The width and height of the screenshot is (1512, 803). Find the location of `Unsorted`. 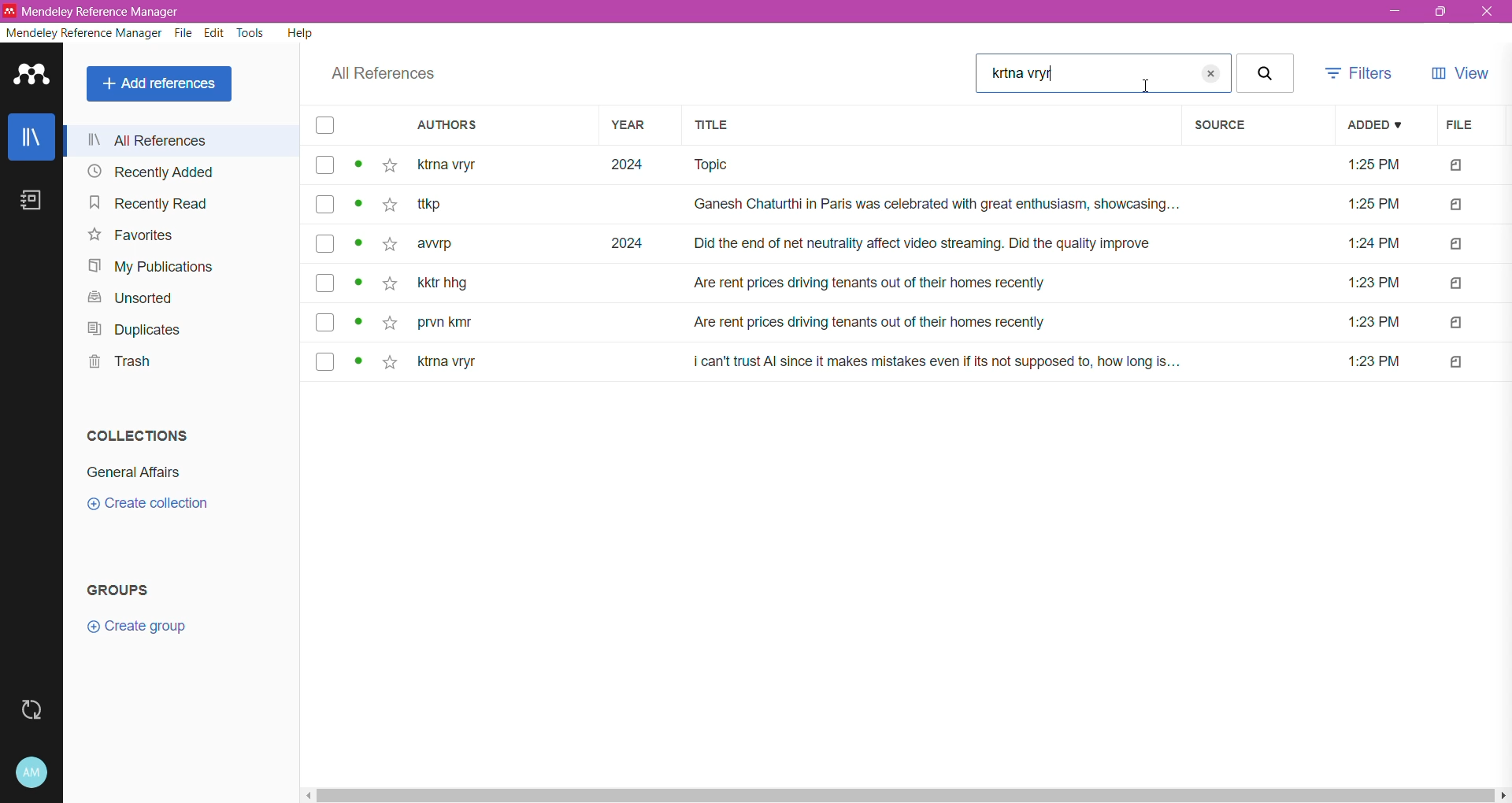

Unsorted is located at coordinates (126, 298).